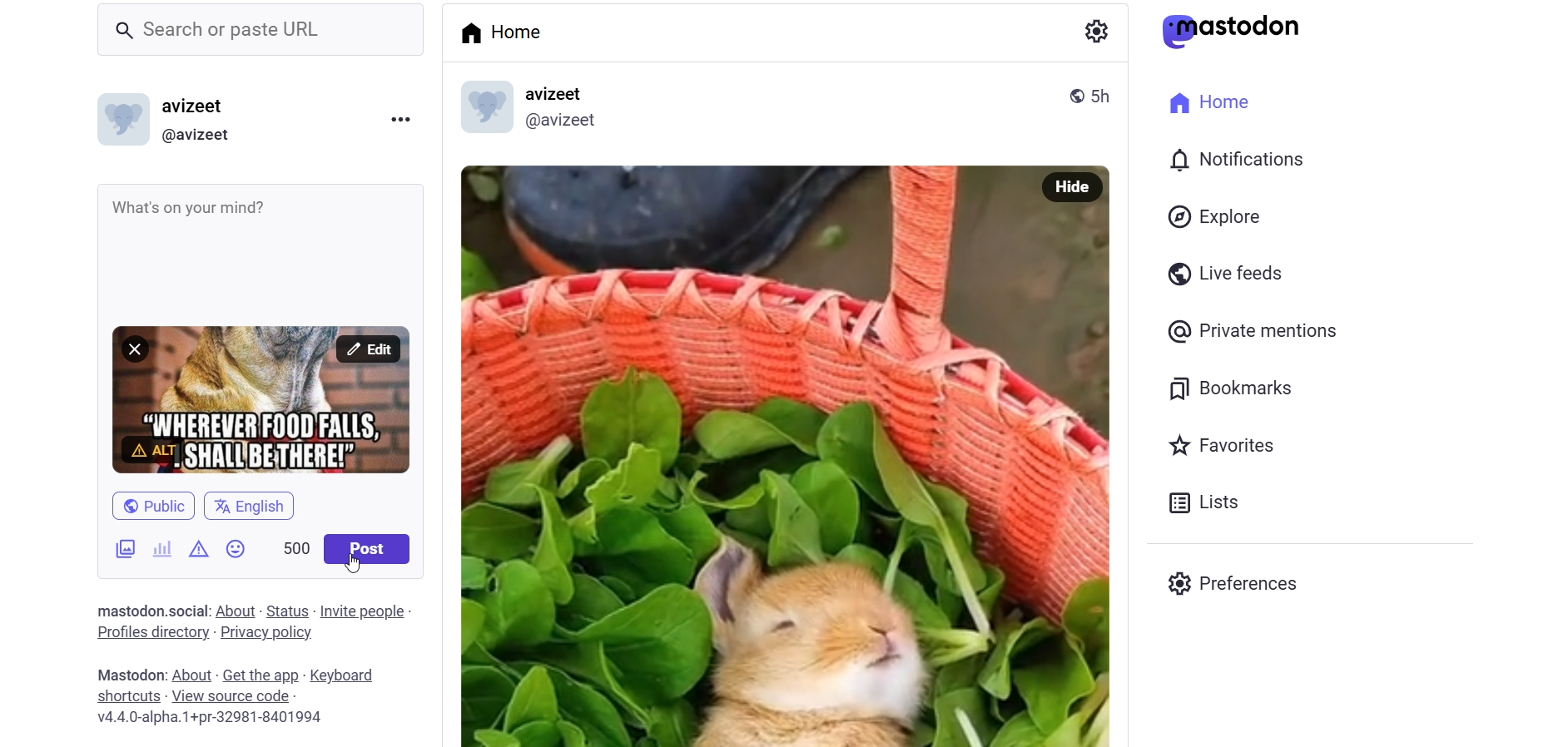 Image resolution: width=1568 pixels, height=747 pixels. What do you see at coordinates (351, 565) in the screenshot?
I see `cursor` at bounding box center [351, 565].